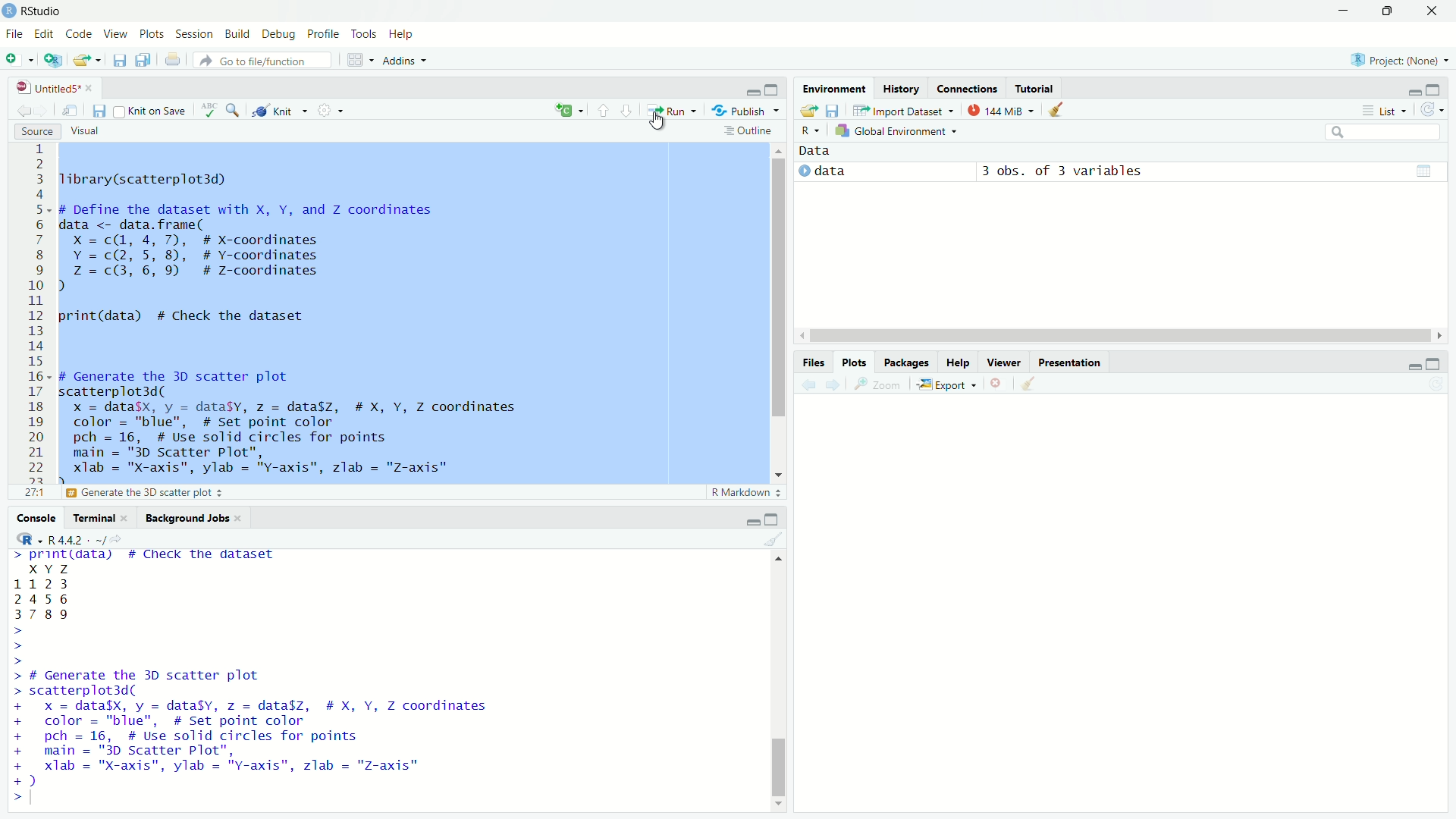  Describe the element at coordinates (171, 62) in the screenshot. I see `print the current file` at that location.